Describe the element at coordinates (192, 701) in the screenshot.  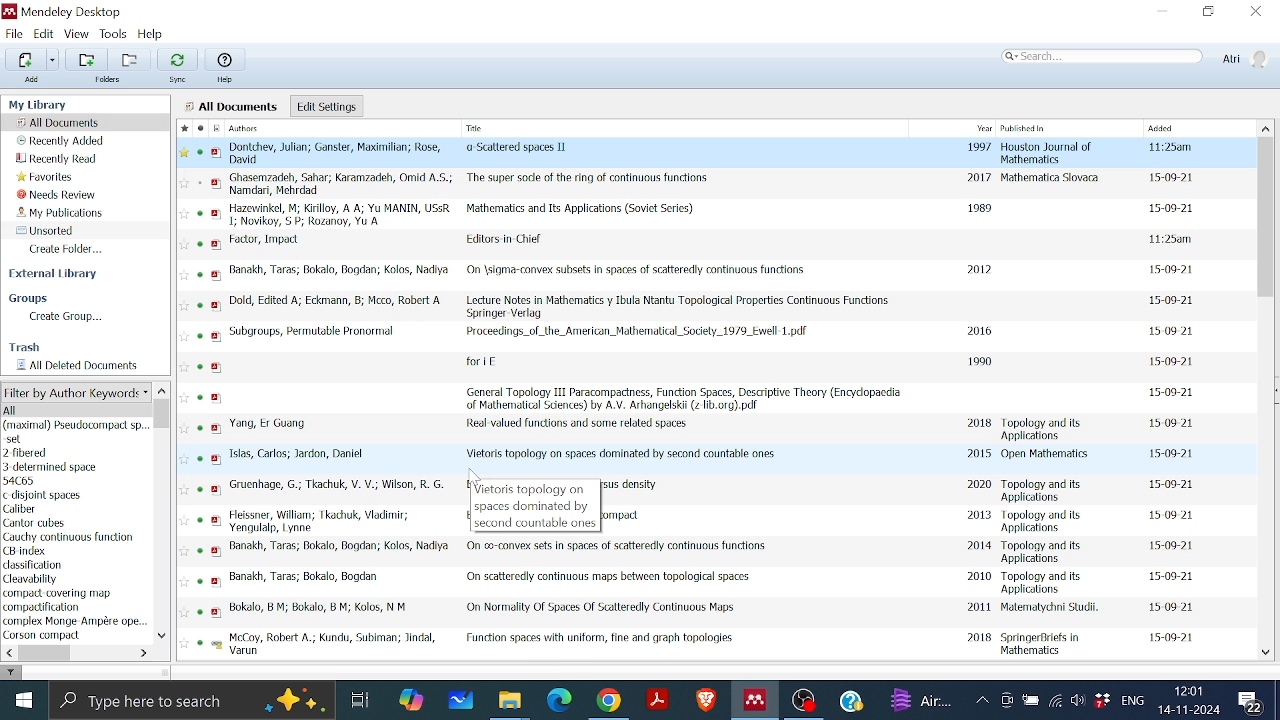
I see `Type here to search` at that location.